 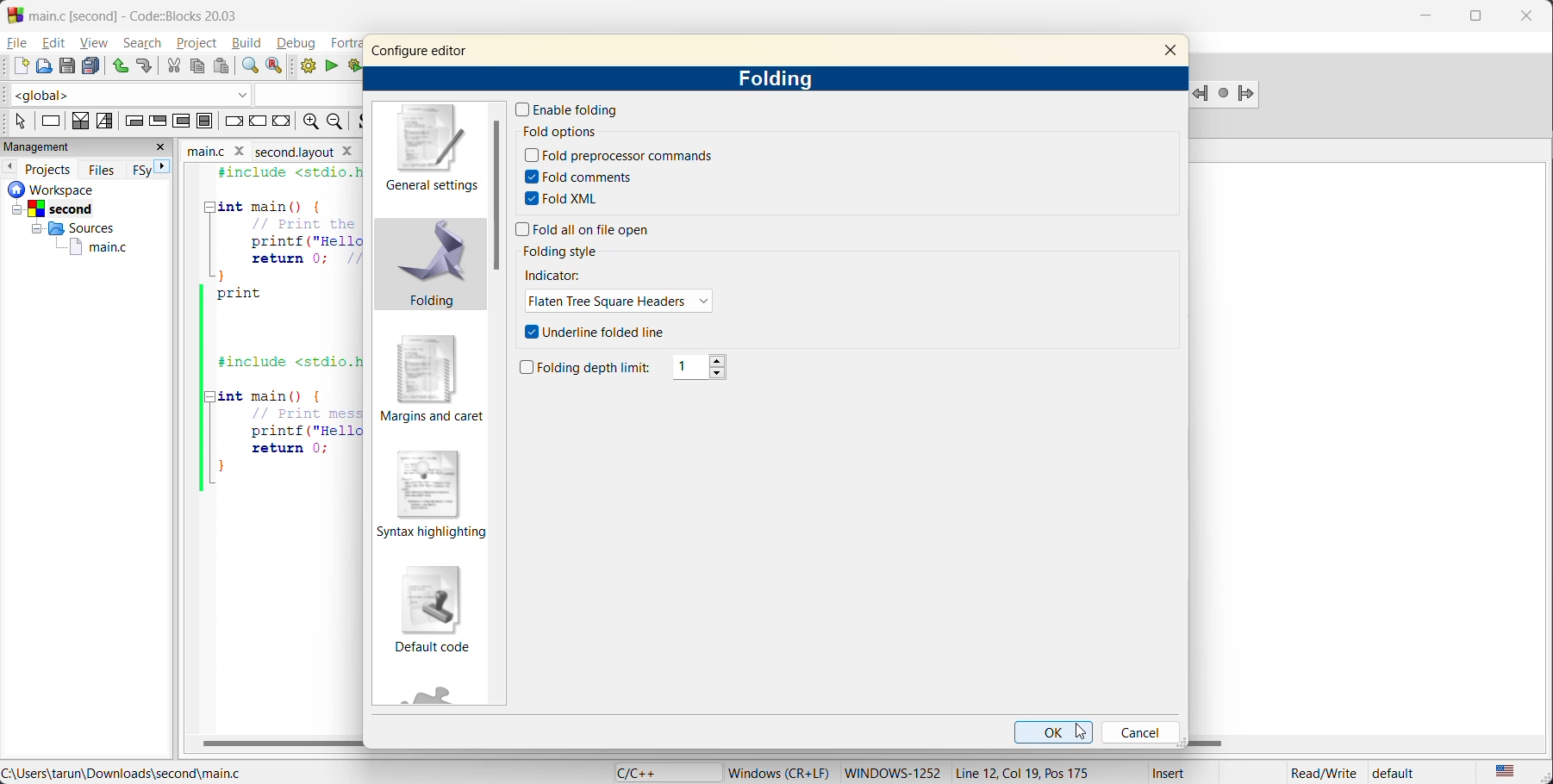 What do you see at coordinates (283, 744) in the screenshot?
I see `horizontal scroll bar` at bounding box center [283, 744].